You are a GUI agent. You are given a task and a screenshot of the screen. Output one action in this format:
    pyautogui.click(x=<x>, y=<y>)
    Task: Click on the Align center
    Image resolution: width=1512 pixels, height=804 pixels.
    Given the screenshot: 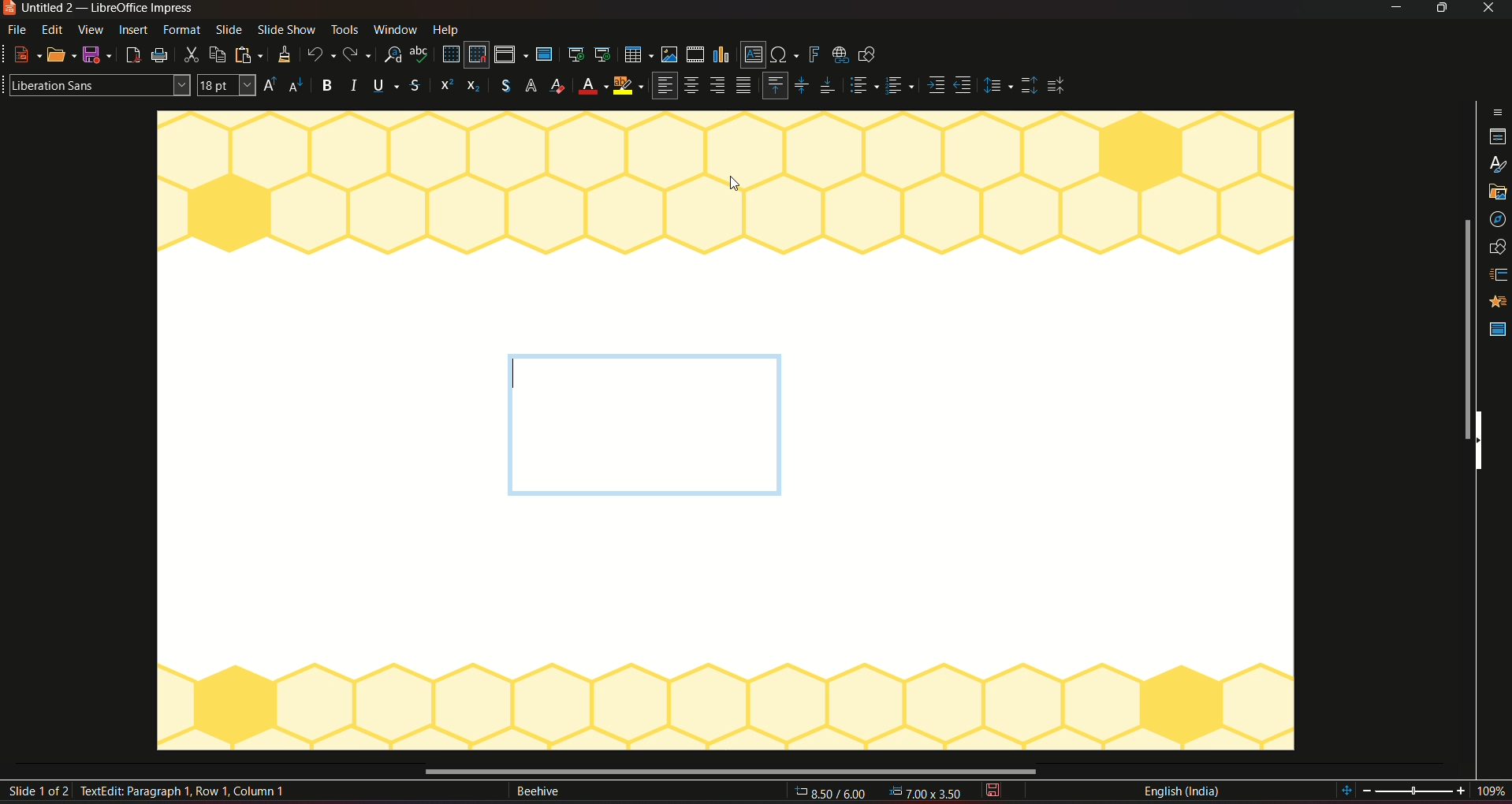 What is the action you would take?
    pyautogui.click(x=802, y=84)
    